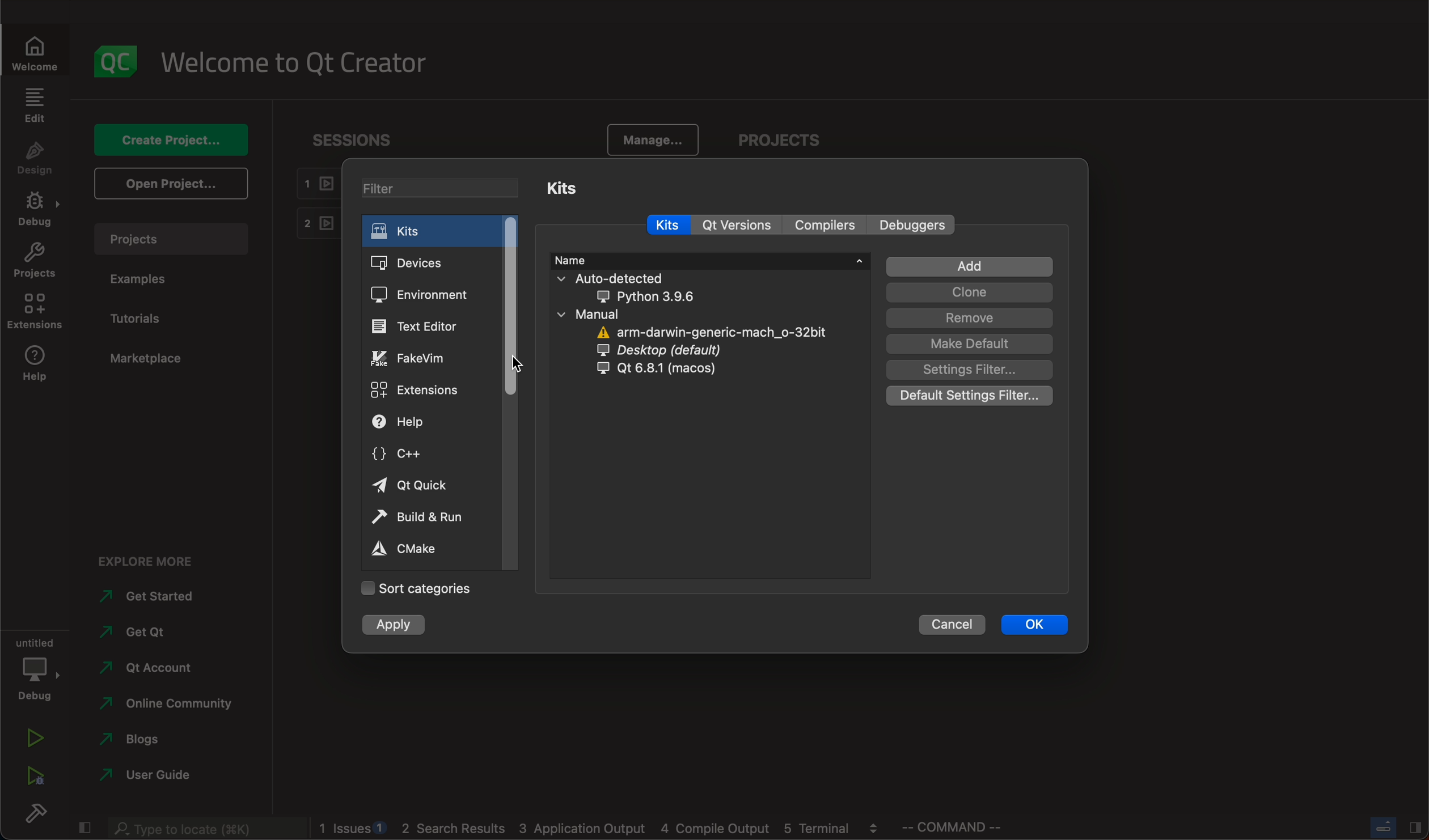 The image size is (1429, 840). Describe the element at coordinates (959, 829) in the screenshot. I see `commands` at that location.